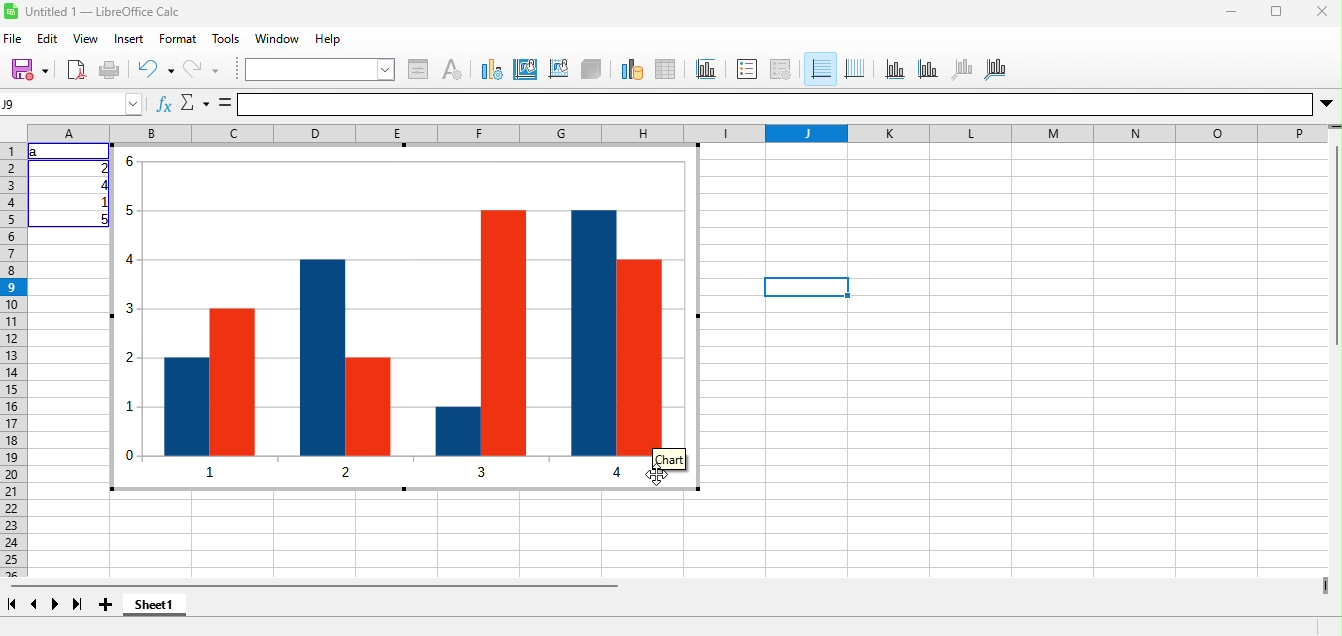 Image resolution: width=1342 pixels, height=636 pixels. Describe the element at coordinates (103, 185) in the screenshot. I see `4` at that location.